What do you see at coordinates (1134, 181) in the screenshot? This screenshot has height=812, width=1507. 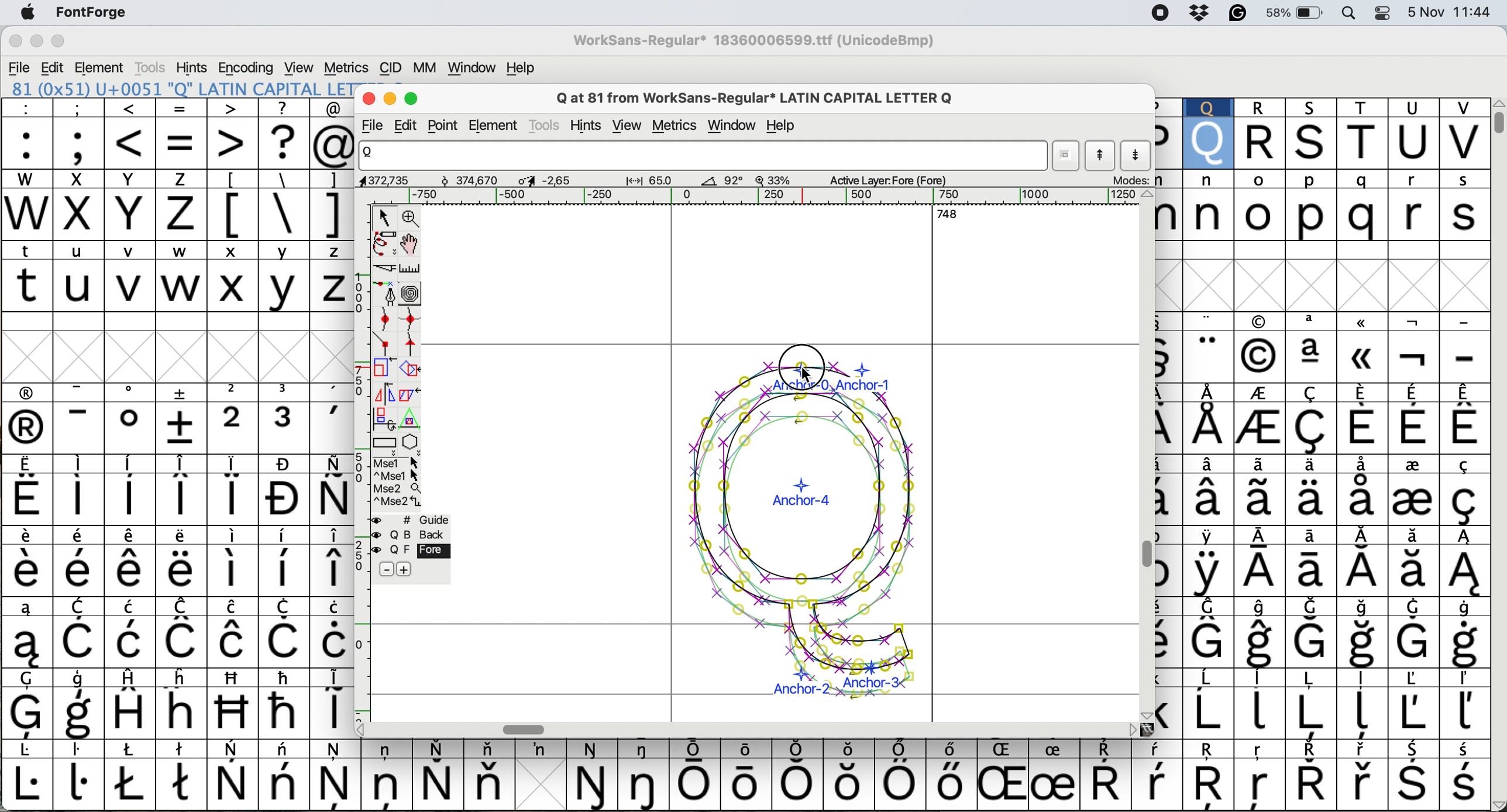 I see `modes` at bounding box center [1134, 181].